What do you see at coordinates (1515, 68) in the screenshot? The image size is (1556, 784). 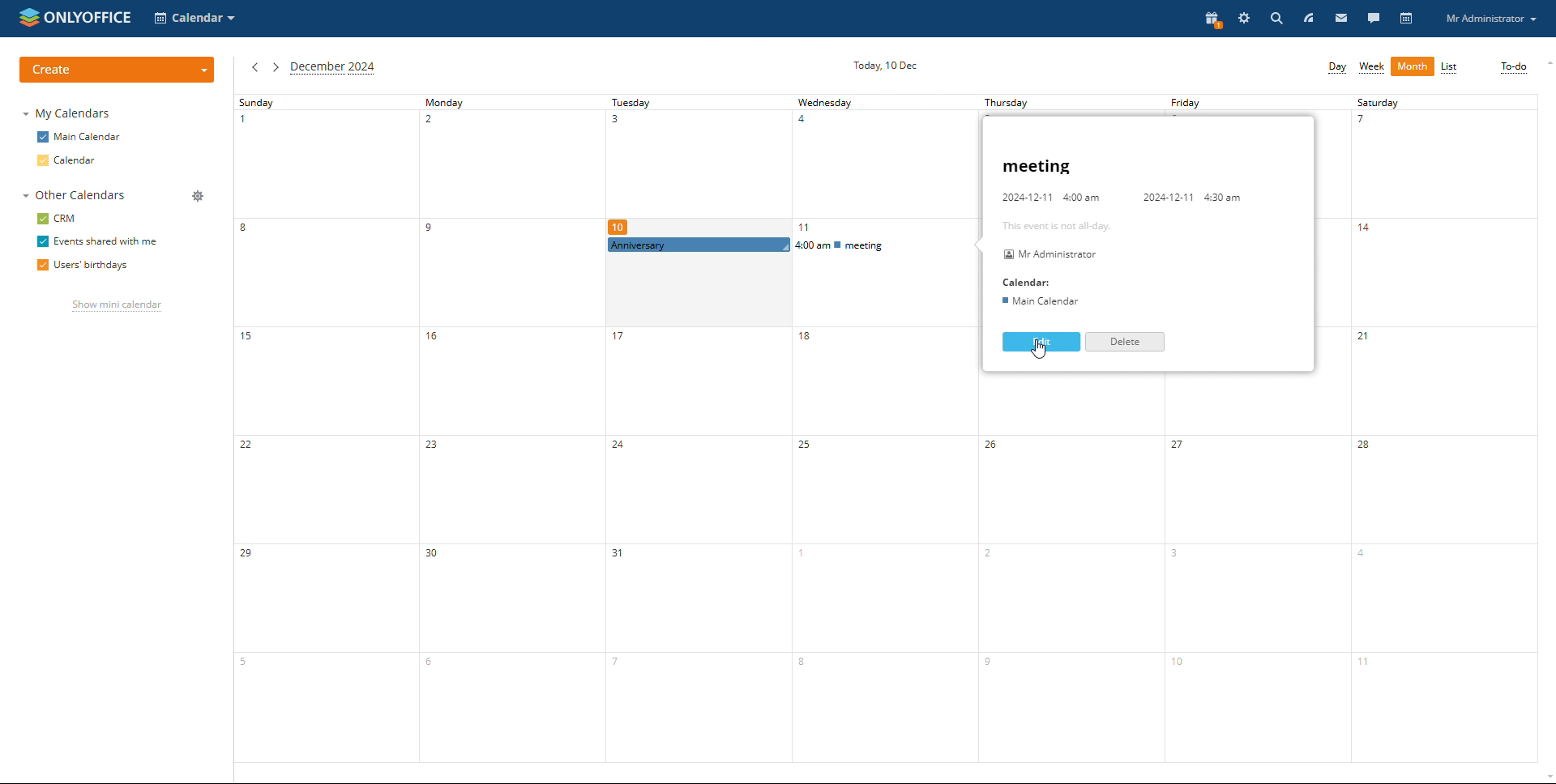 I see `to-do` at bounding box center [1515, 68].